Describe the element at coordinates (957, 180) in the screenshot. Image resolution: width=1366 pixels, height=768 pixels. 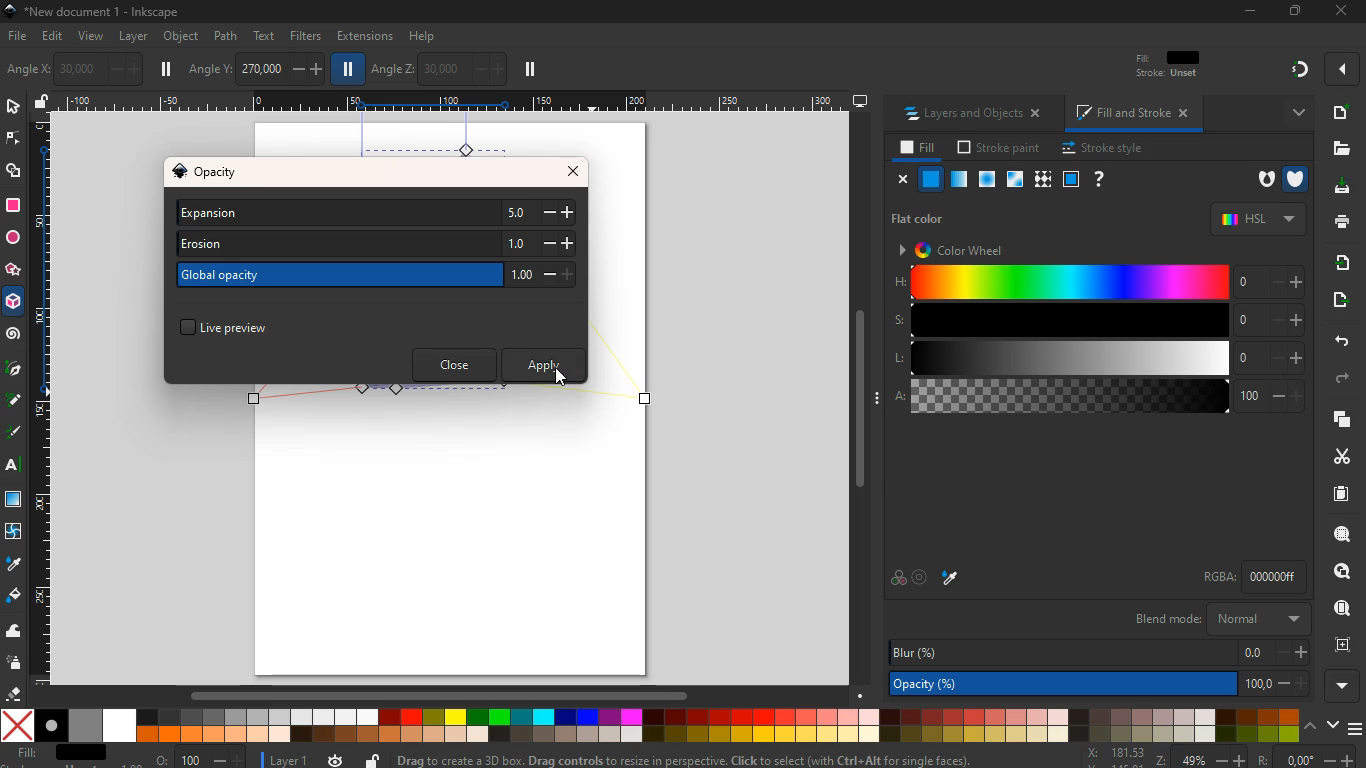
I see `opacity` at that location.